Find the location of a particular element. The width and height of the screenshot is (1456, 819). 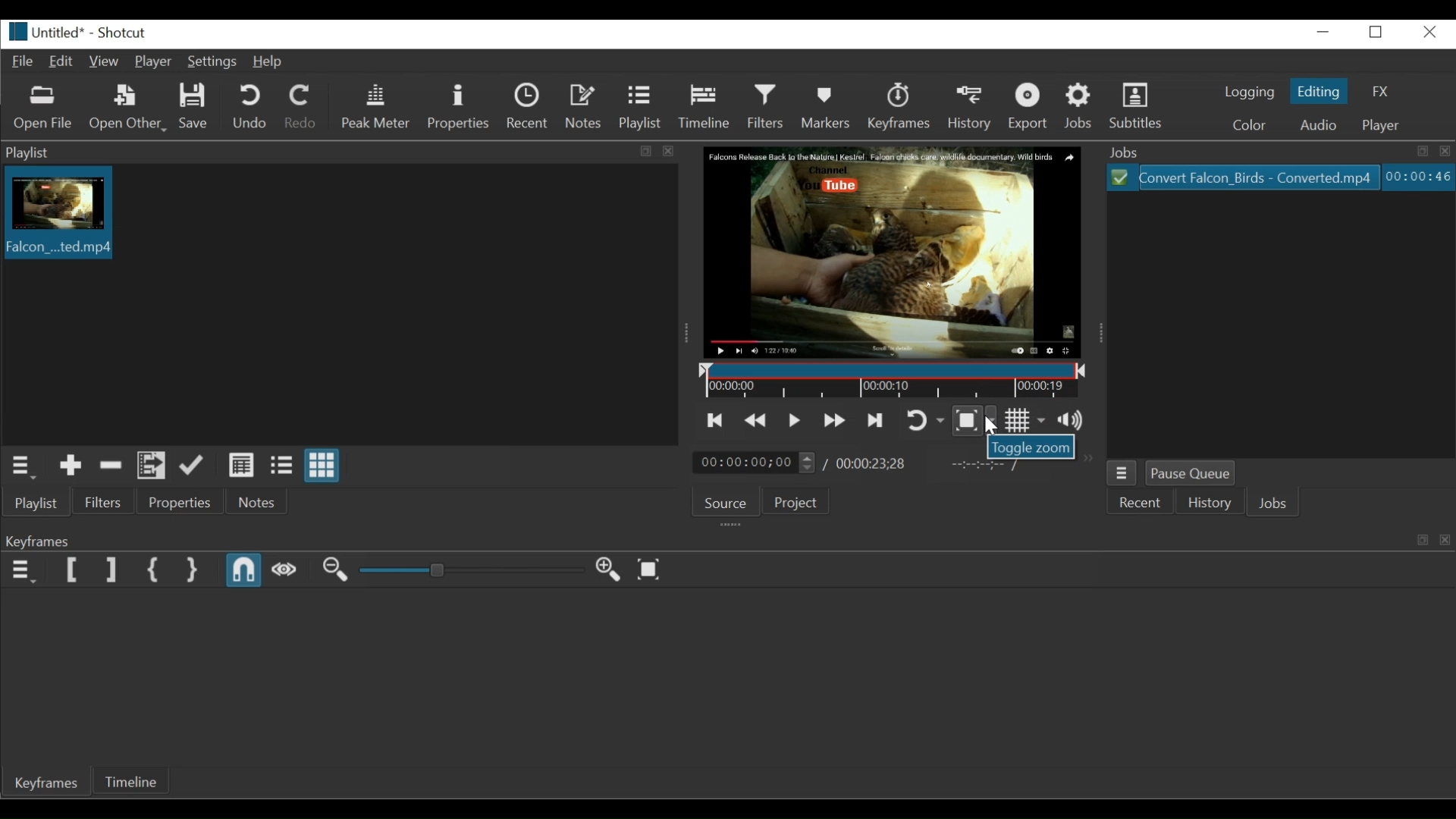

Clip thumbnail is located at coordinates (340, 306).